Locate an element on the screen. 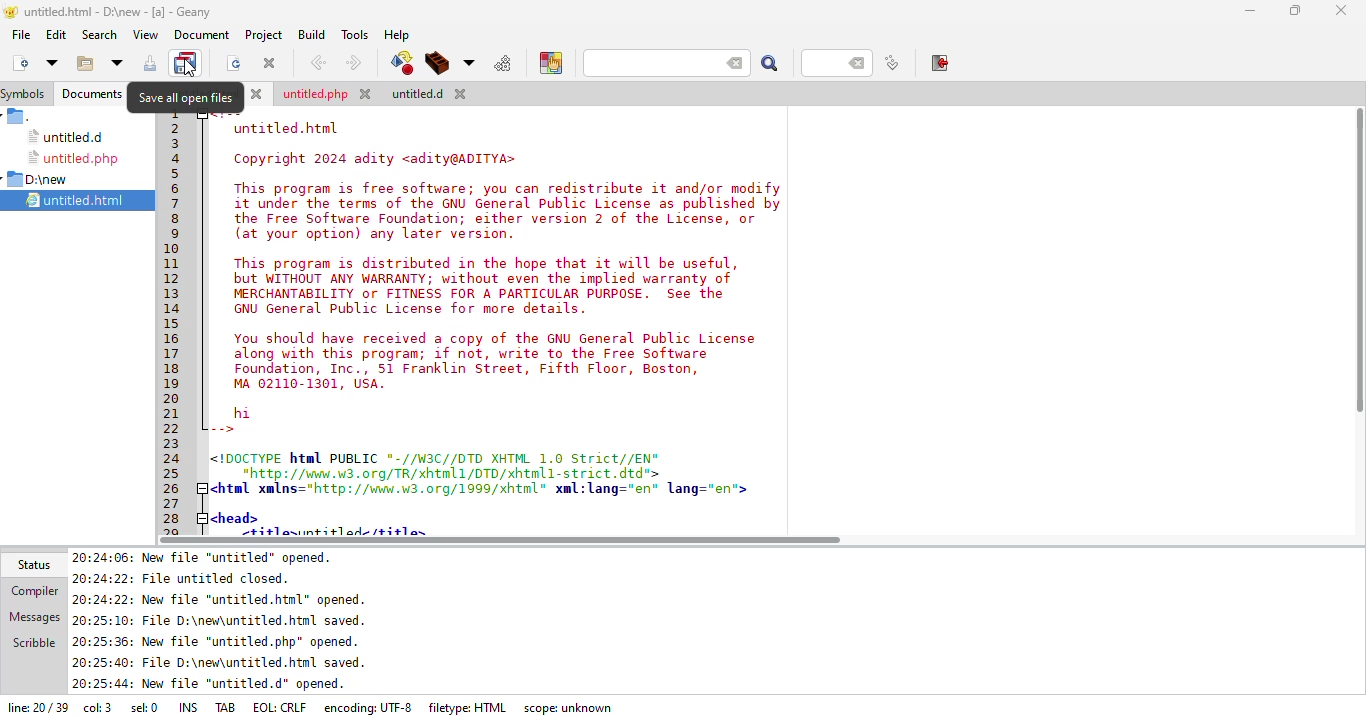 Image resolution: width=1366 pixels, height=718 pixels. compiler is located at coordinates (38, 591).